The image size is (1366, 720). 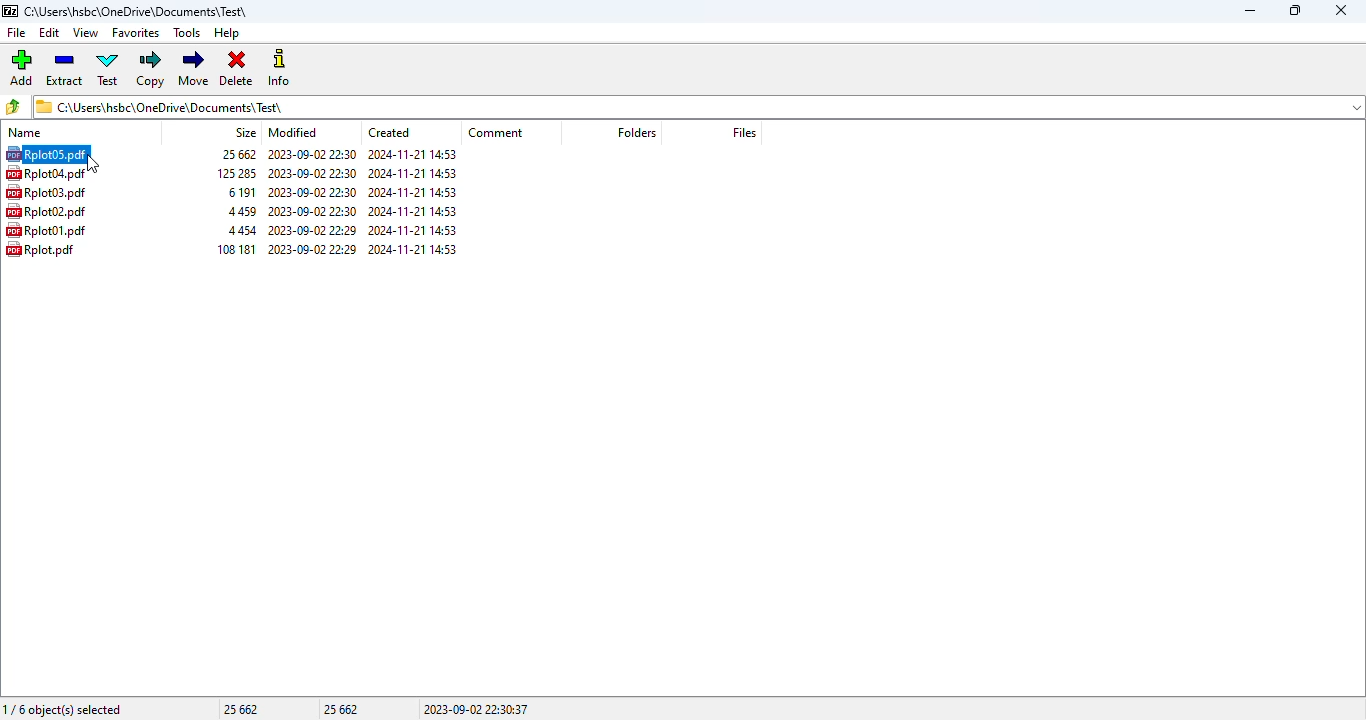 What do you see at coordinates (108, 69) in the screenshot?
I see `test` at bounding box center [108, 69].